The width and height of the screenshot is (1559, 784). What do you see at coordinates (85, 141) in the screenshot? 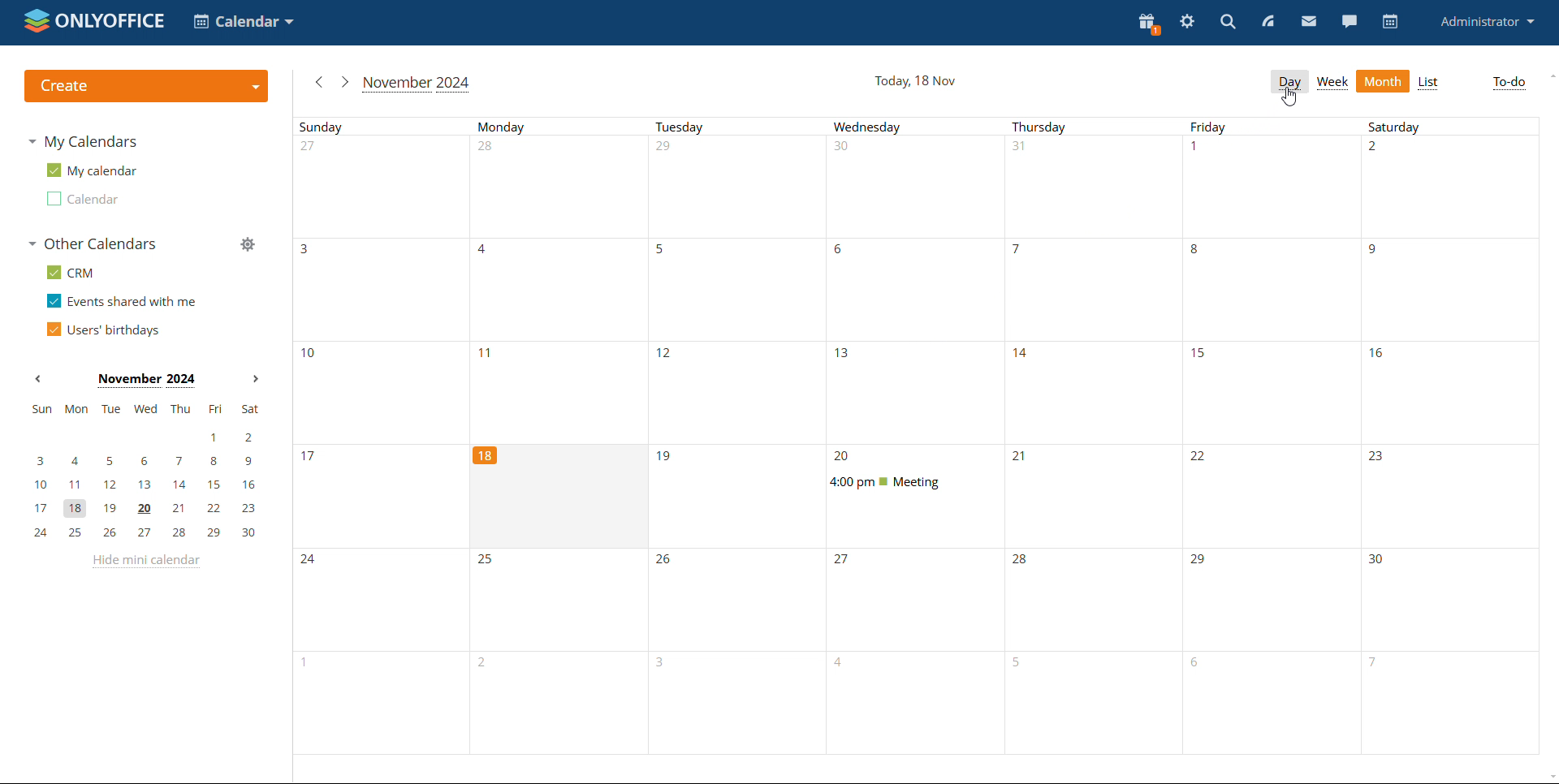
I see `my calendars` at bounding box center [85, 141].